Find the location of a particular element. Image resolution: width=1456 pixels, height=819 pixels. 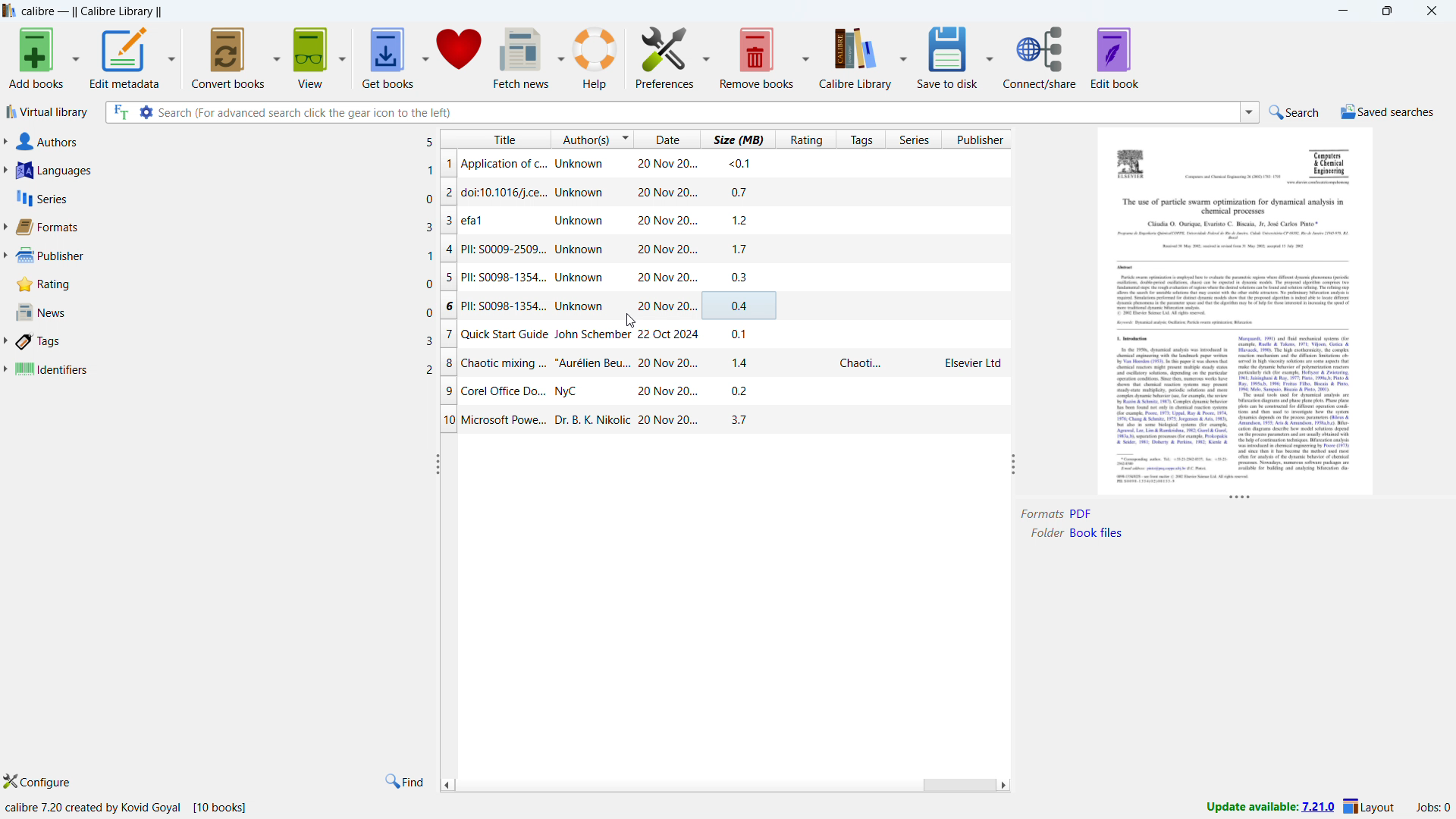

donate to clibre is located at coordinates (460, 56).